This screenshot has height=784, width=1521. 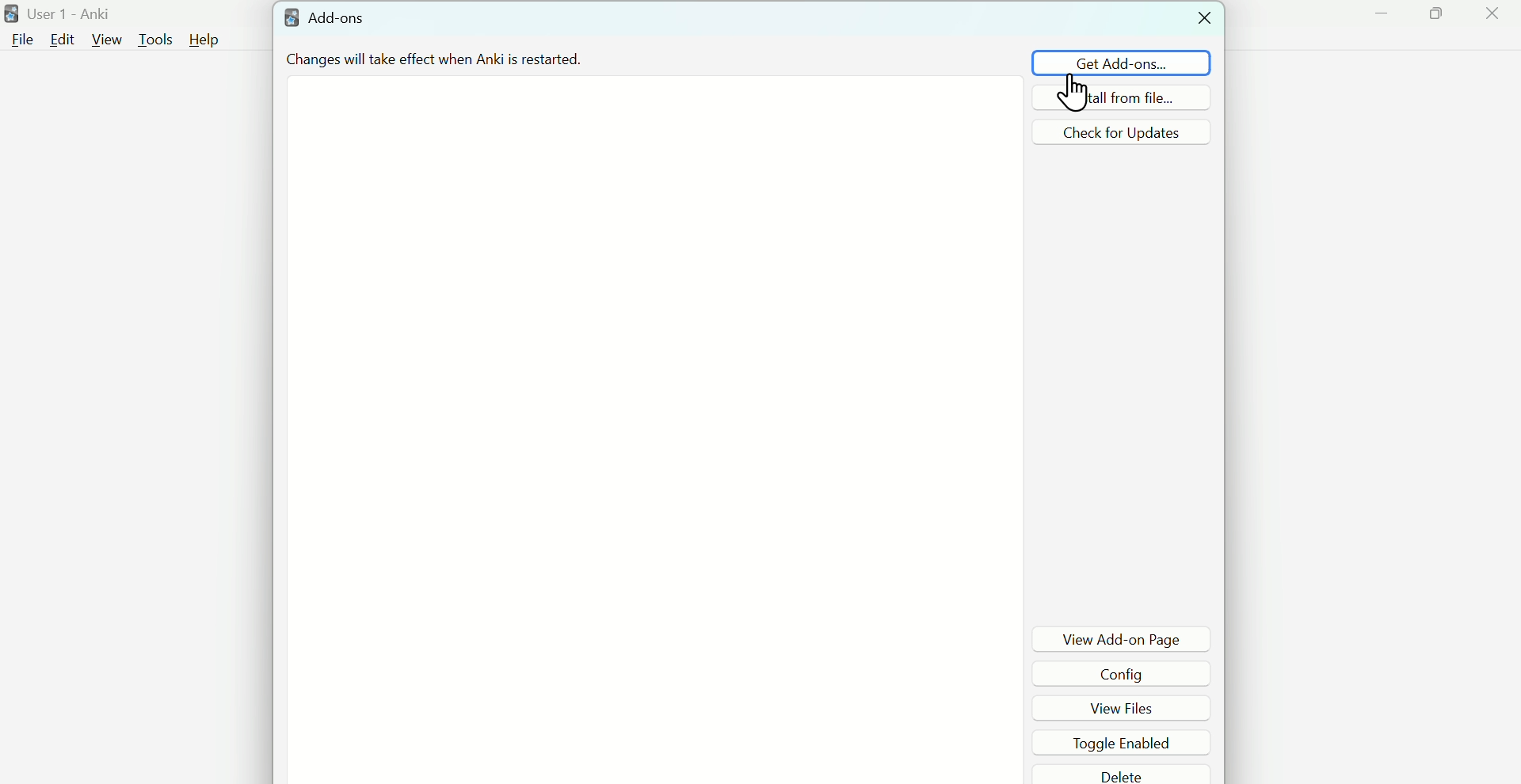 What do you see at coordinates (61, 40) in the screenshot?
I see `Edit` at bounding box center [61, 40].